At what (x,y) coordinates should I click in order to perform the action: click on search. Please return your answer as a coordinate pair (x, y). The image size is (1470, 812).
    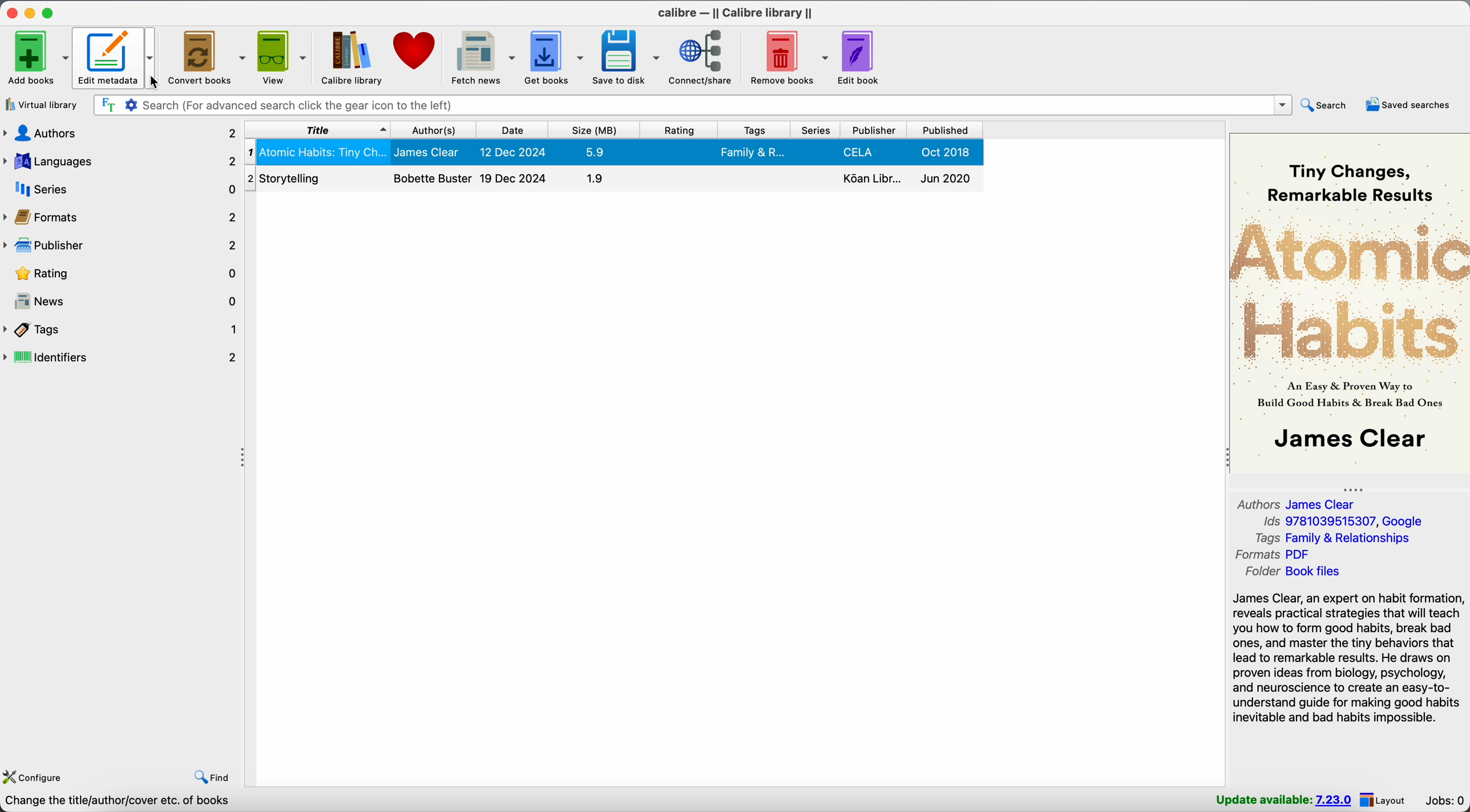
    Looking at the image, I should click on (1327, 104).